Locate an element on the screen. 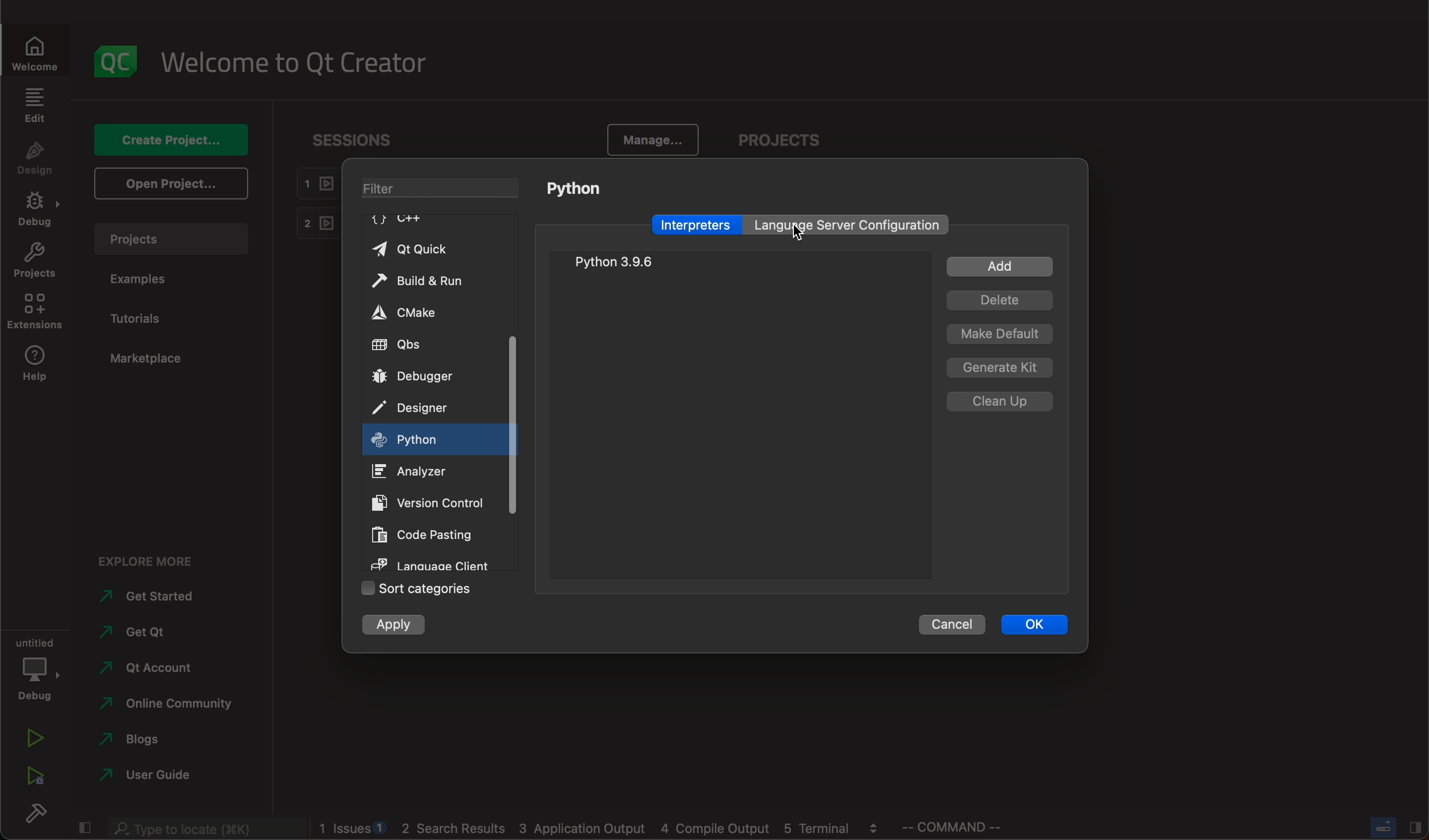 The image size is (1429, 840). command is located at coordinates (951, 826).